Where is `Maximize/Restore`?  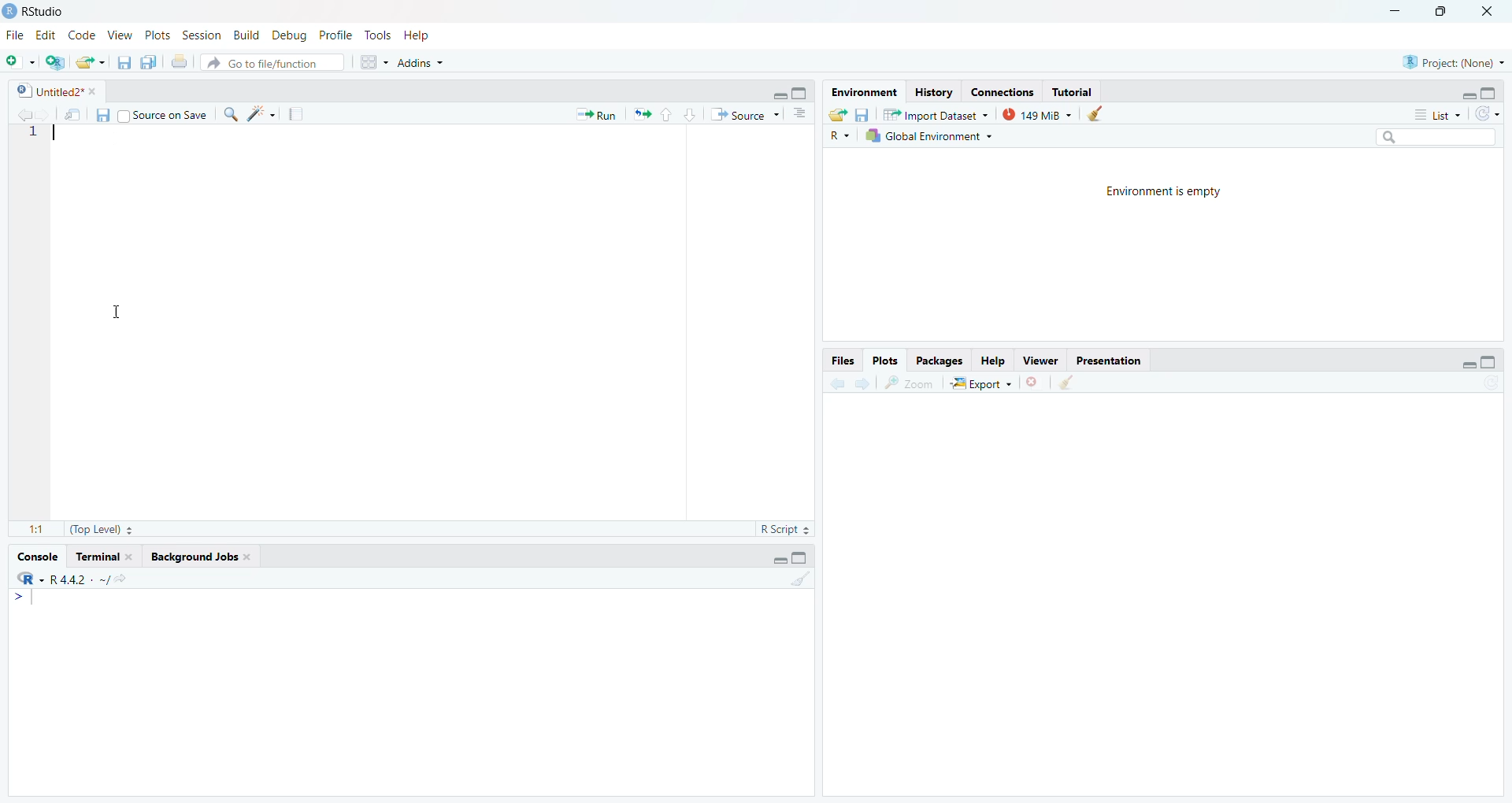
Maximize/Restore is located at coordinates (1490, 364).